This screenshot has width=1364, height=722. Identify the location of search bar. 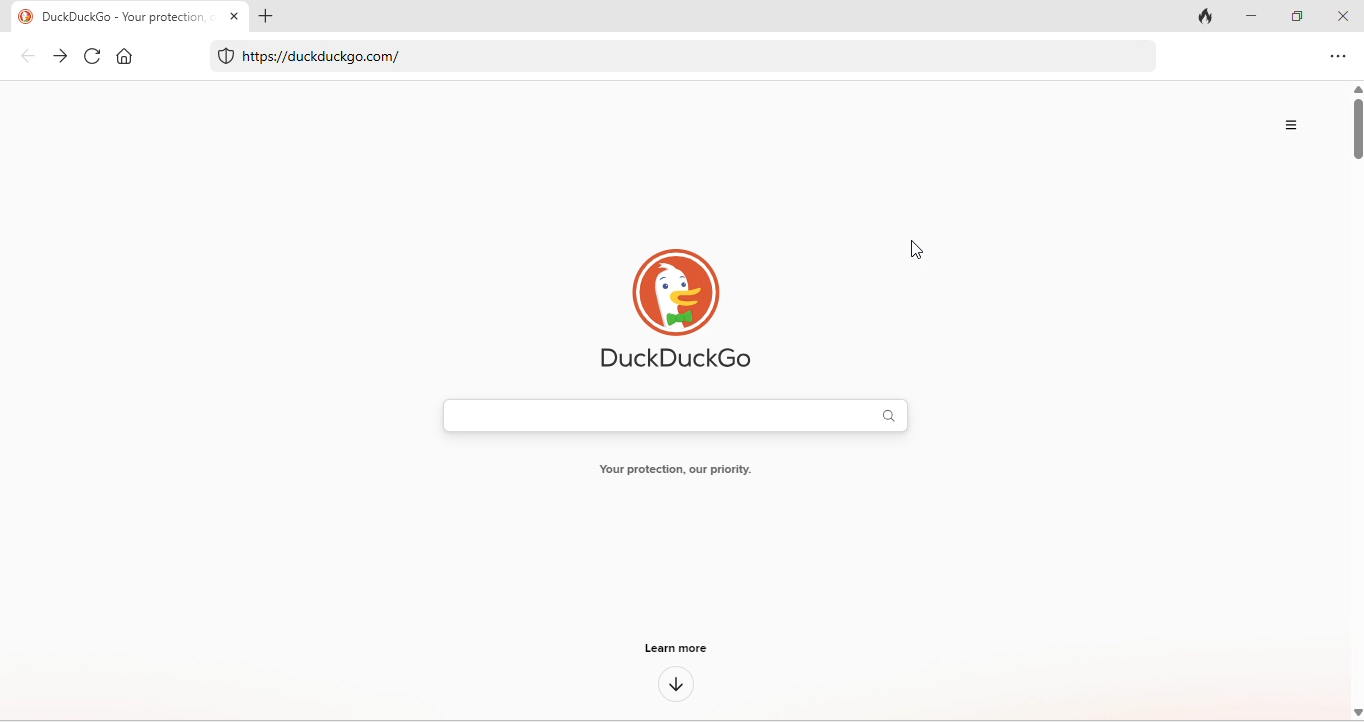
(677, 416).